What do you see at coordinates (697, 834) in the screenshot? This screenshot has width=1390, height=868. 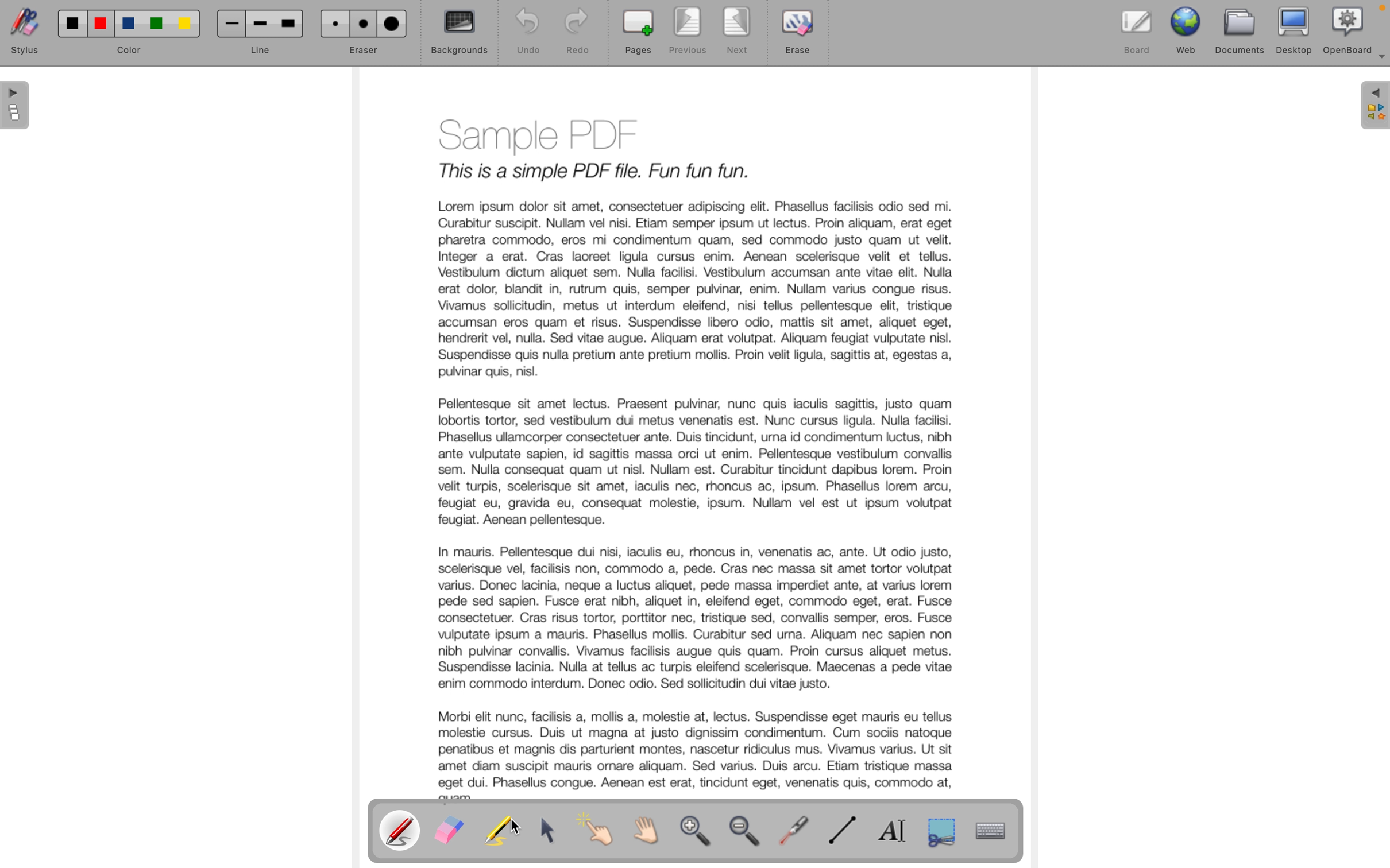 I see `zoom in` at bounding box center [697, 834].